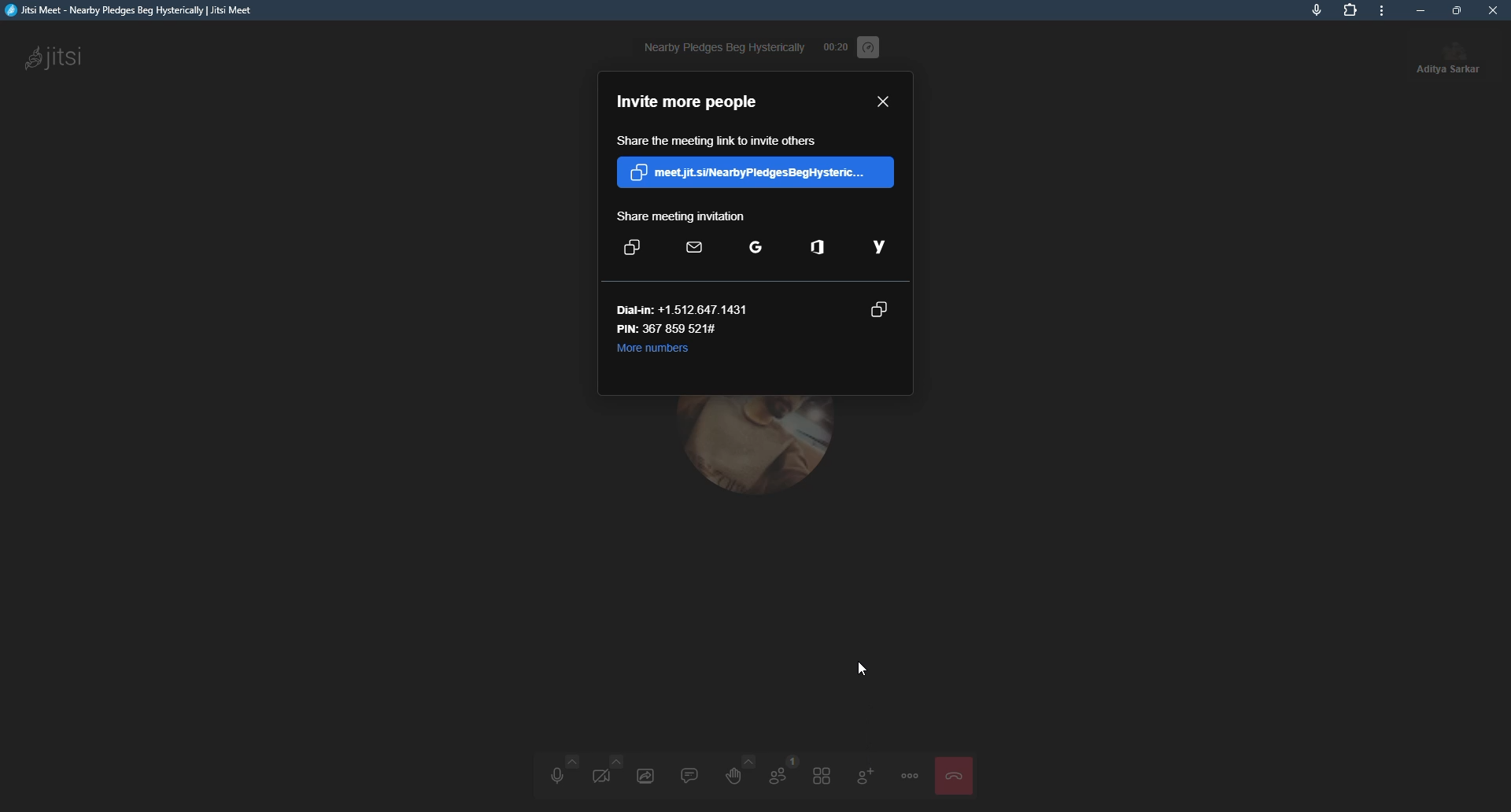 The height and width of the screenshot is (812, 1511). I want to click on performance setting, so click(870, 47).